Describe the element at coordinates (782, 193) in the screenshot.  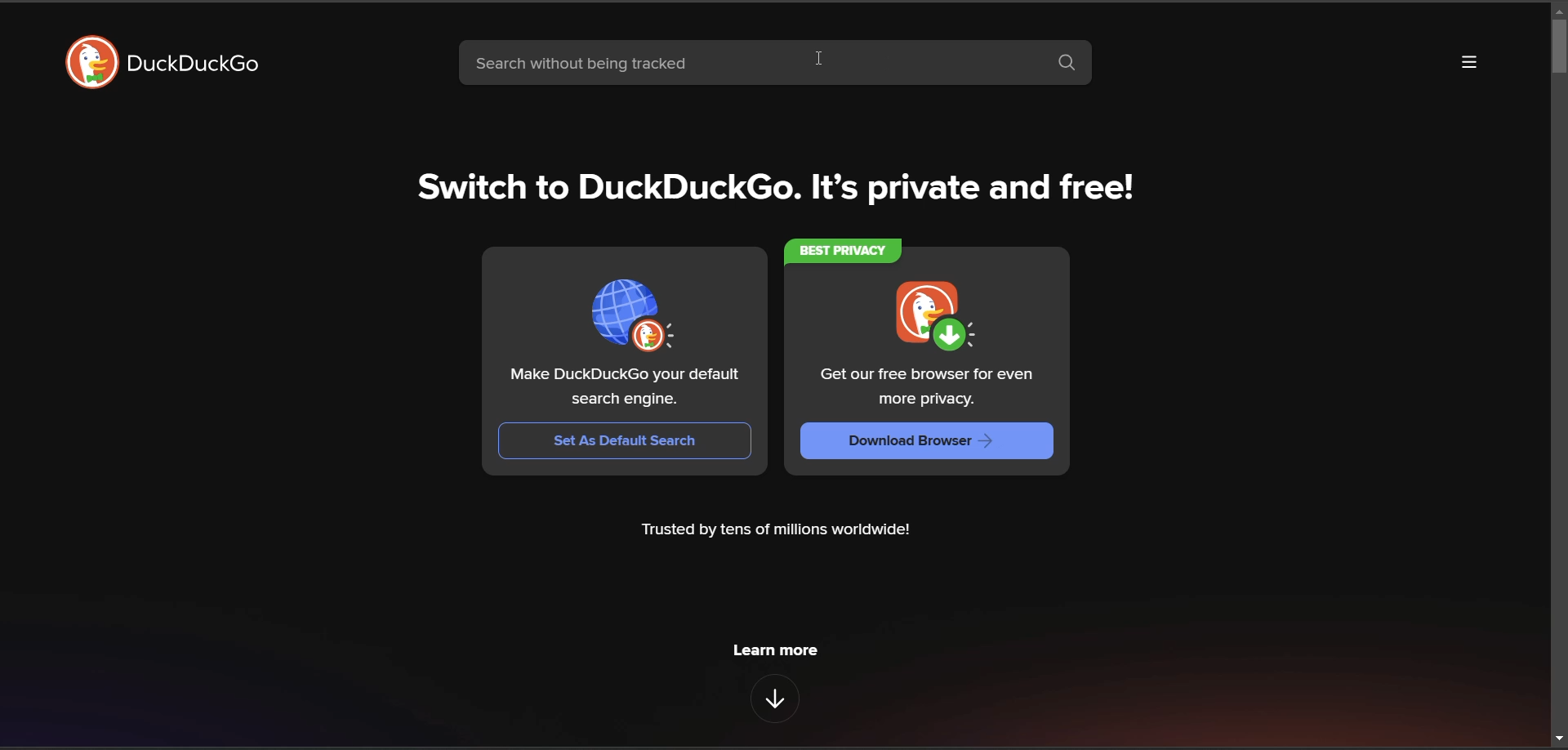
I see `tag line` at that location.